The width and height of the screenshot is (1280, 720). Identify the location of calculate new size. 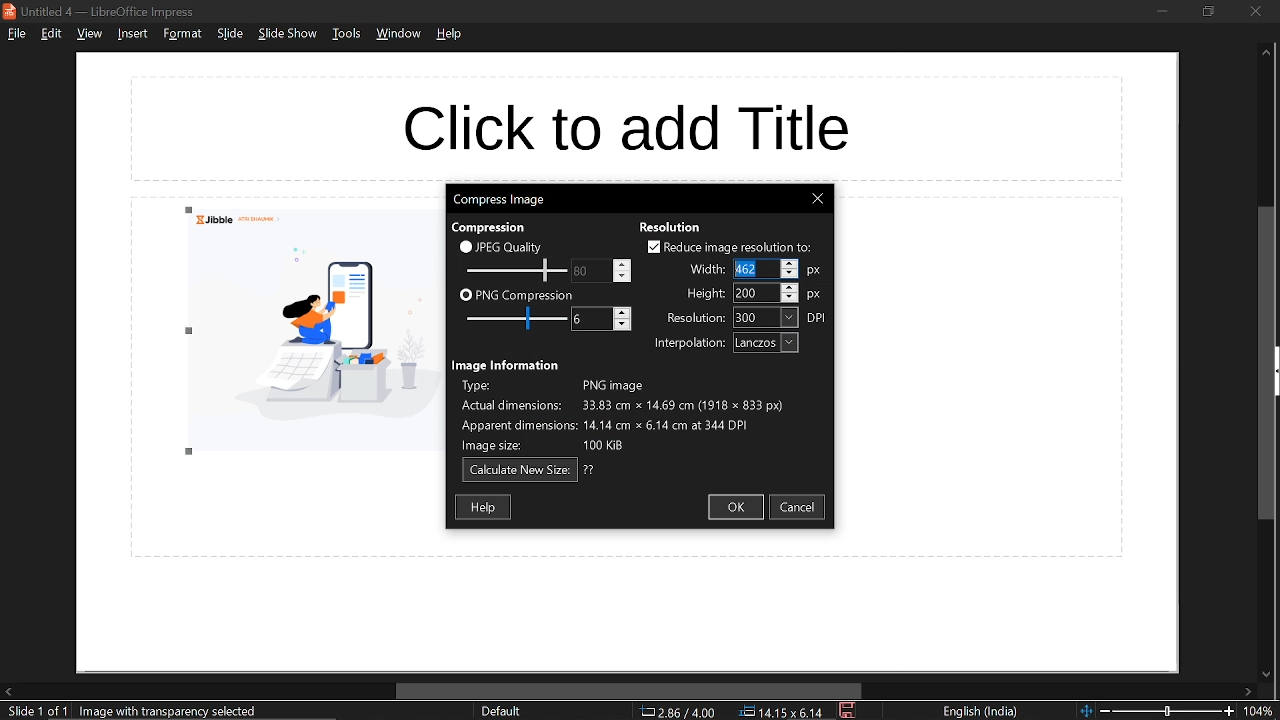
(520, 471).